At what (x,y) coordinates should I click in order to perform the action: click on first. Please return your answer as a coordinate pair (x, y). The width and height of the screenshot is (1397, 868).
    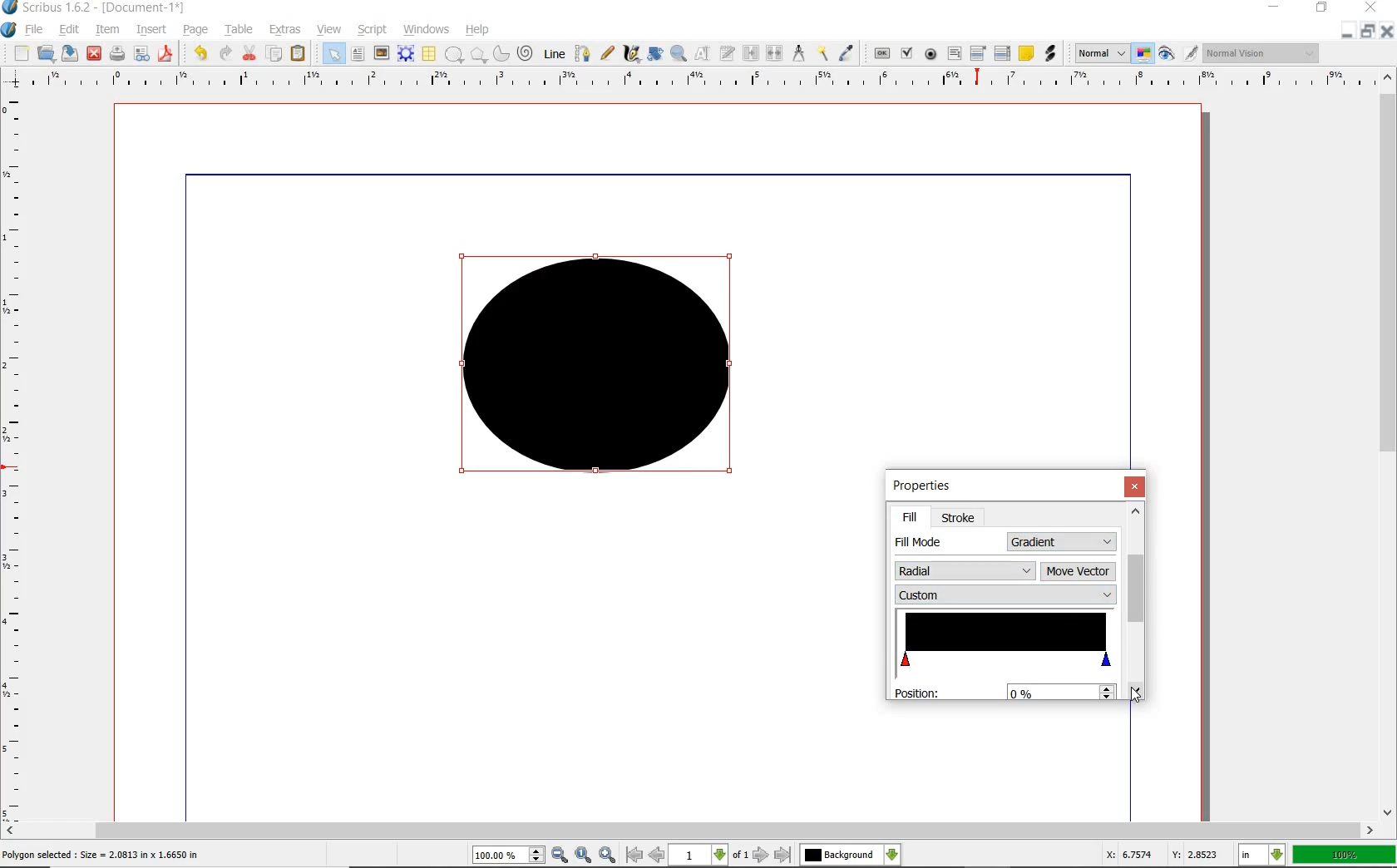
    Looking at the image, I should click on (634, 855).